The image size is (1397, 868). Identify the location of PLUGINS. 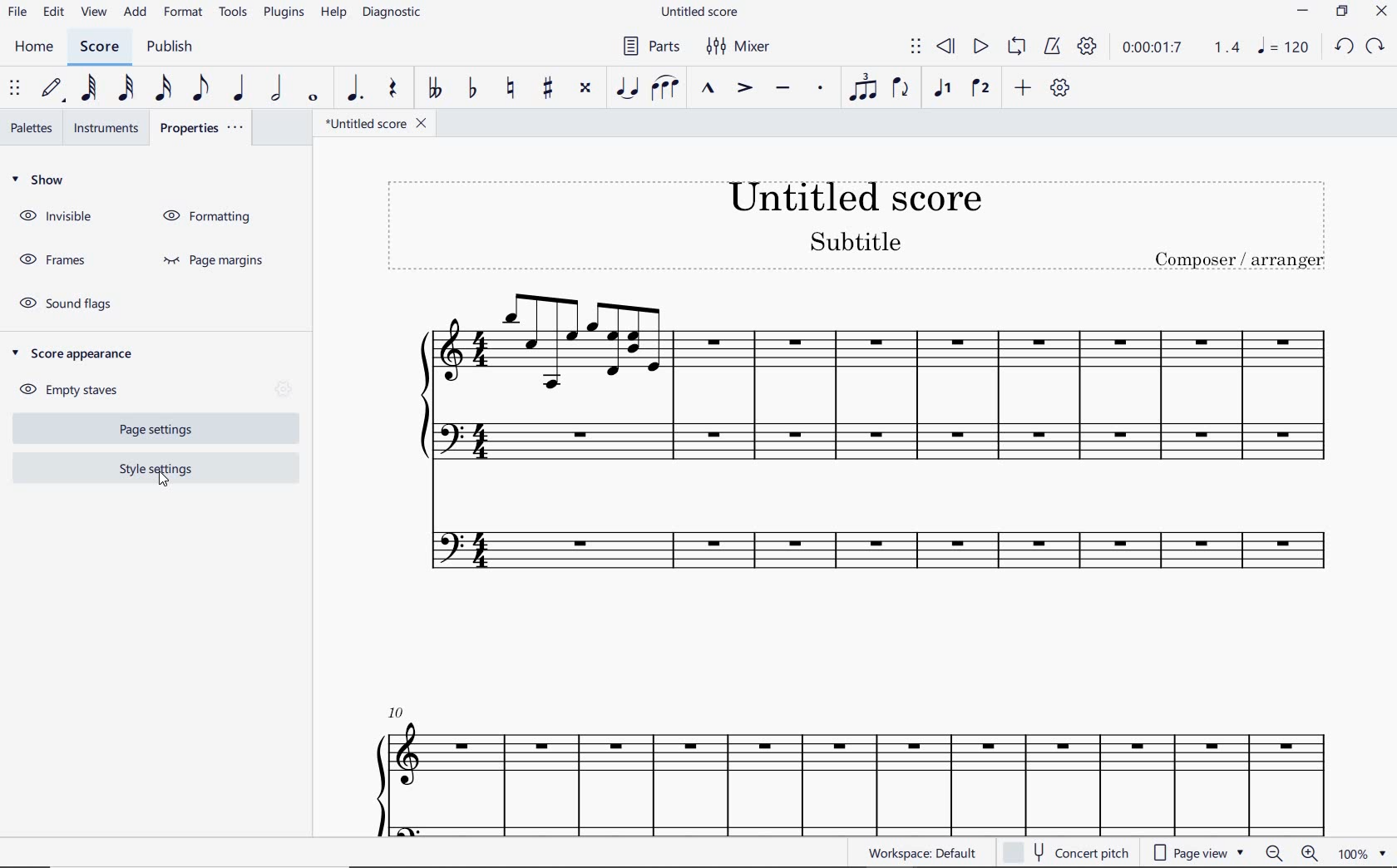
(283, 13).